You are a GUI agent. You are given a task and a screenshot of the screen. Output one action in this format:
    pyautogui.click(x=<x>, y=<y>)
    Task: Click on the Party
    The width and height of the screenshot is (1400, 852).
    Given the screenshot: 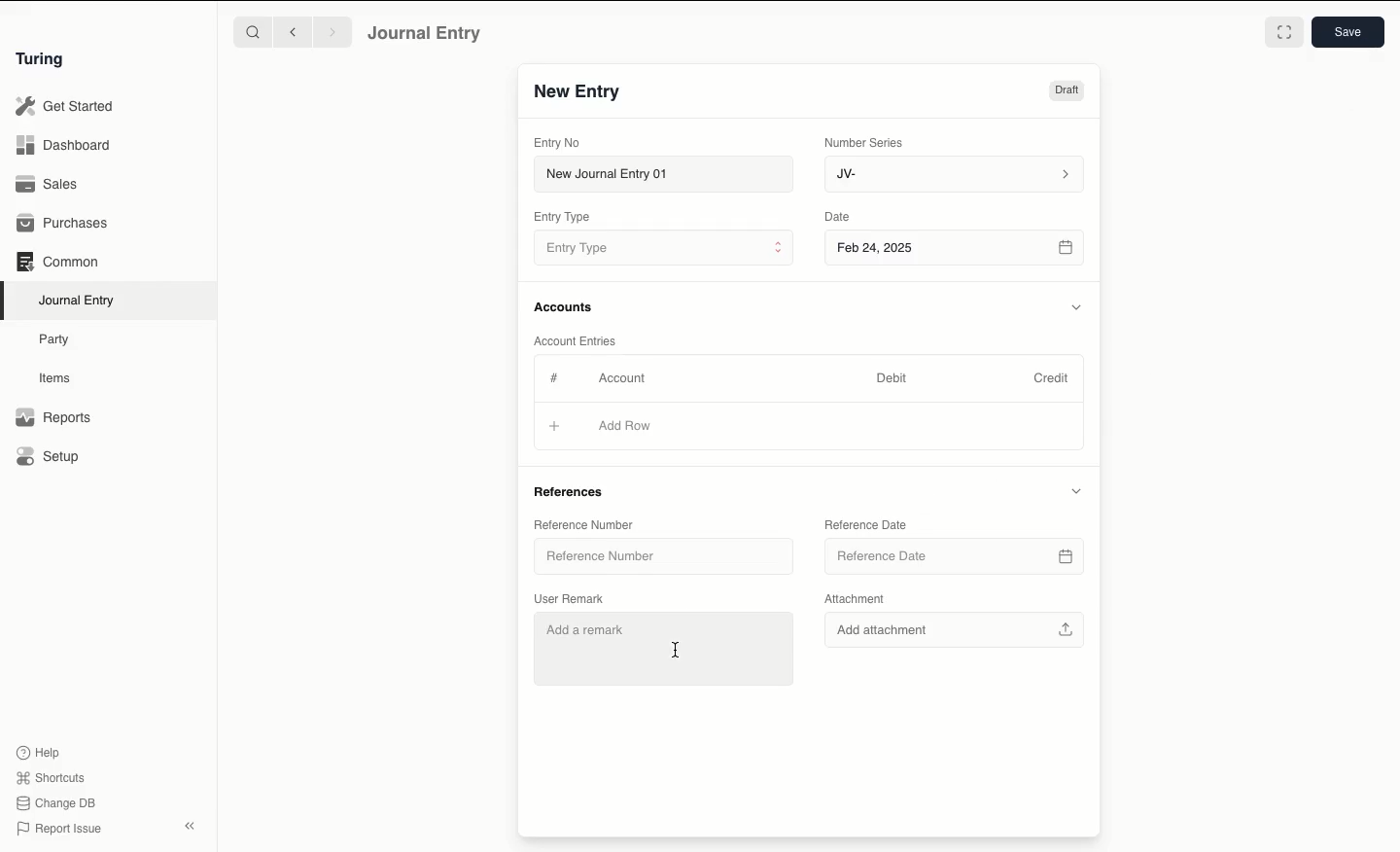 What is the action you would take?
    pyautogui.click(x=59, y=340)
    